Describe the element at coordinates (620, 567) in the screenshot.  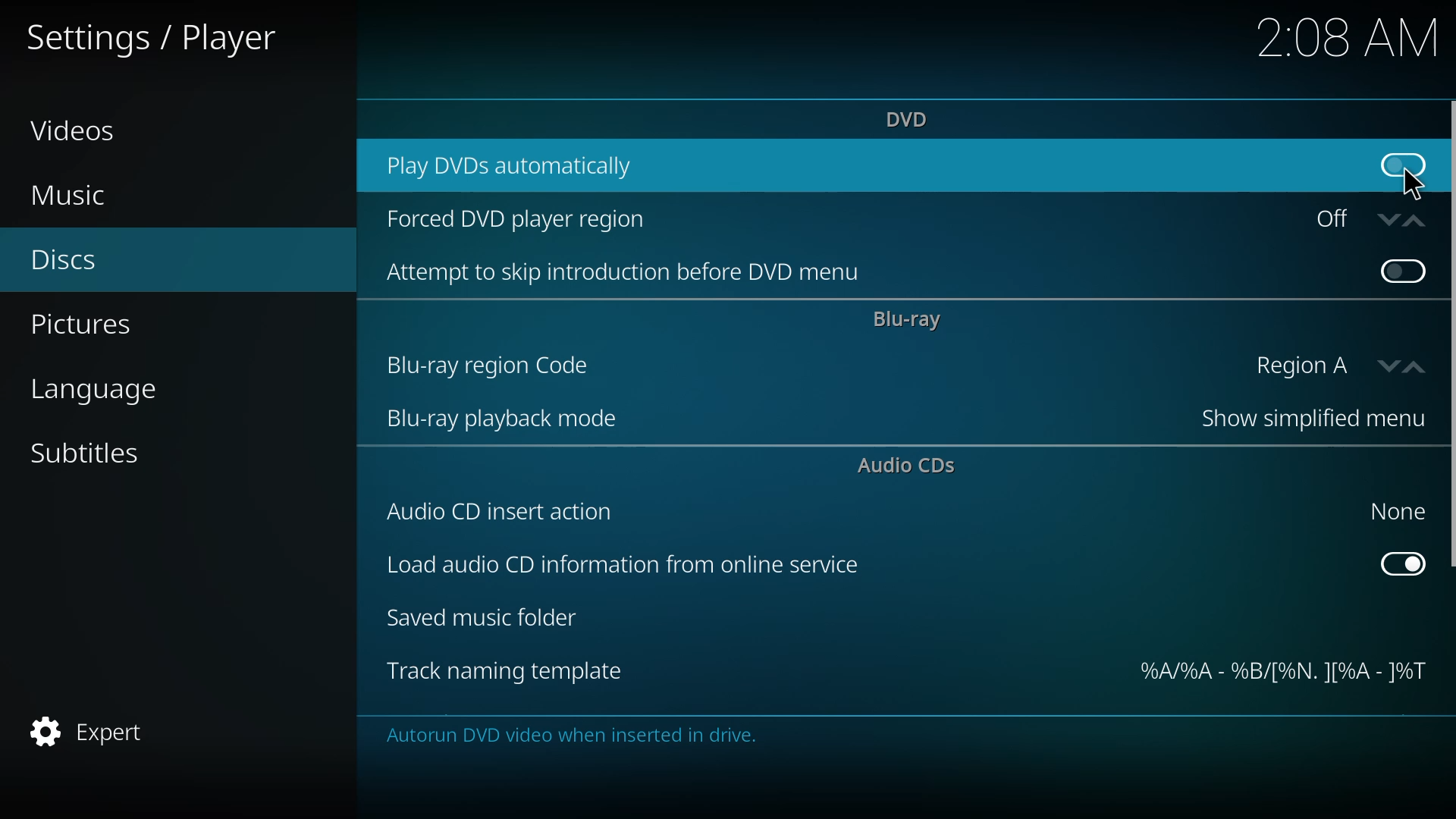
I see `load audio cd info from online service` at that location.